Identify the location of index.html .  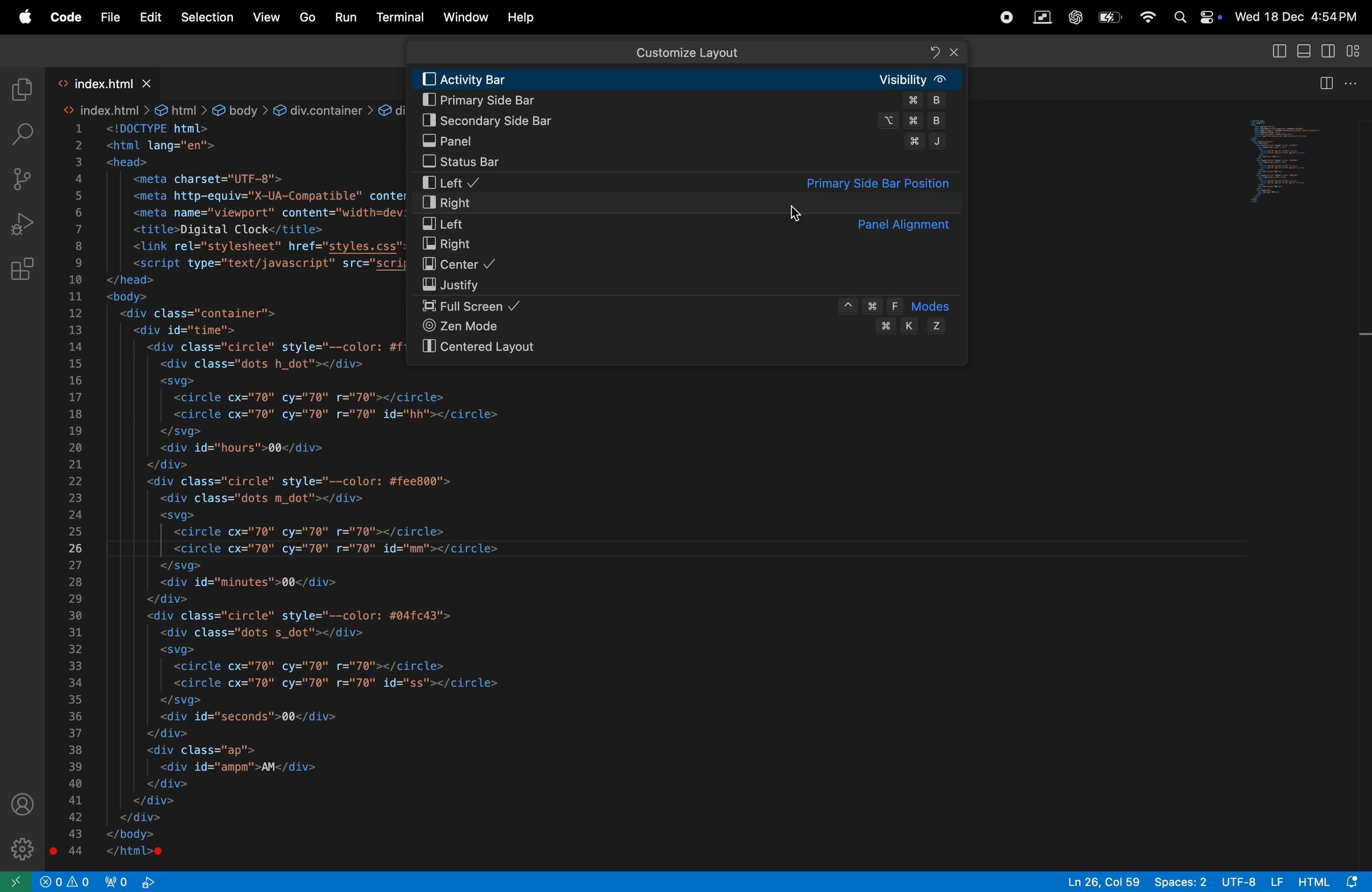
(112, 83).